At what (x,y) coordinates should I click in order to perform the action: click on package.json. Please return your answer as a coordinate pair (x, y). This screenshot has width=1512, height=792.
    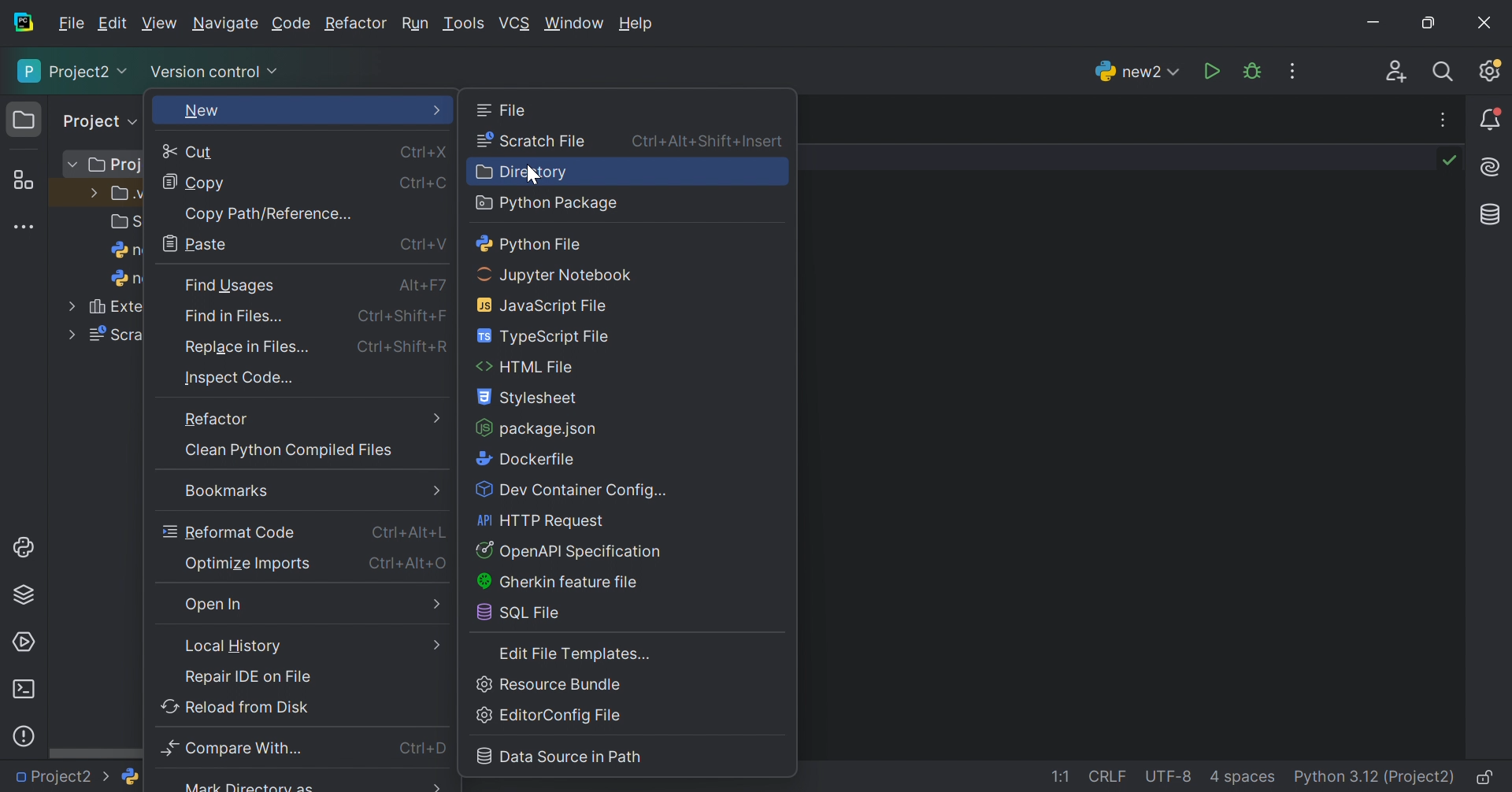
    Looking at the image, I should click on (541, 430).